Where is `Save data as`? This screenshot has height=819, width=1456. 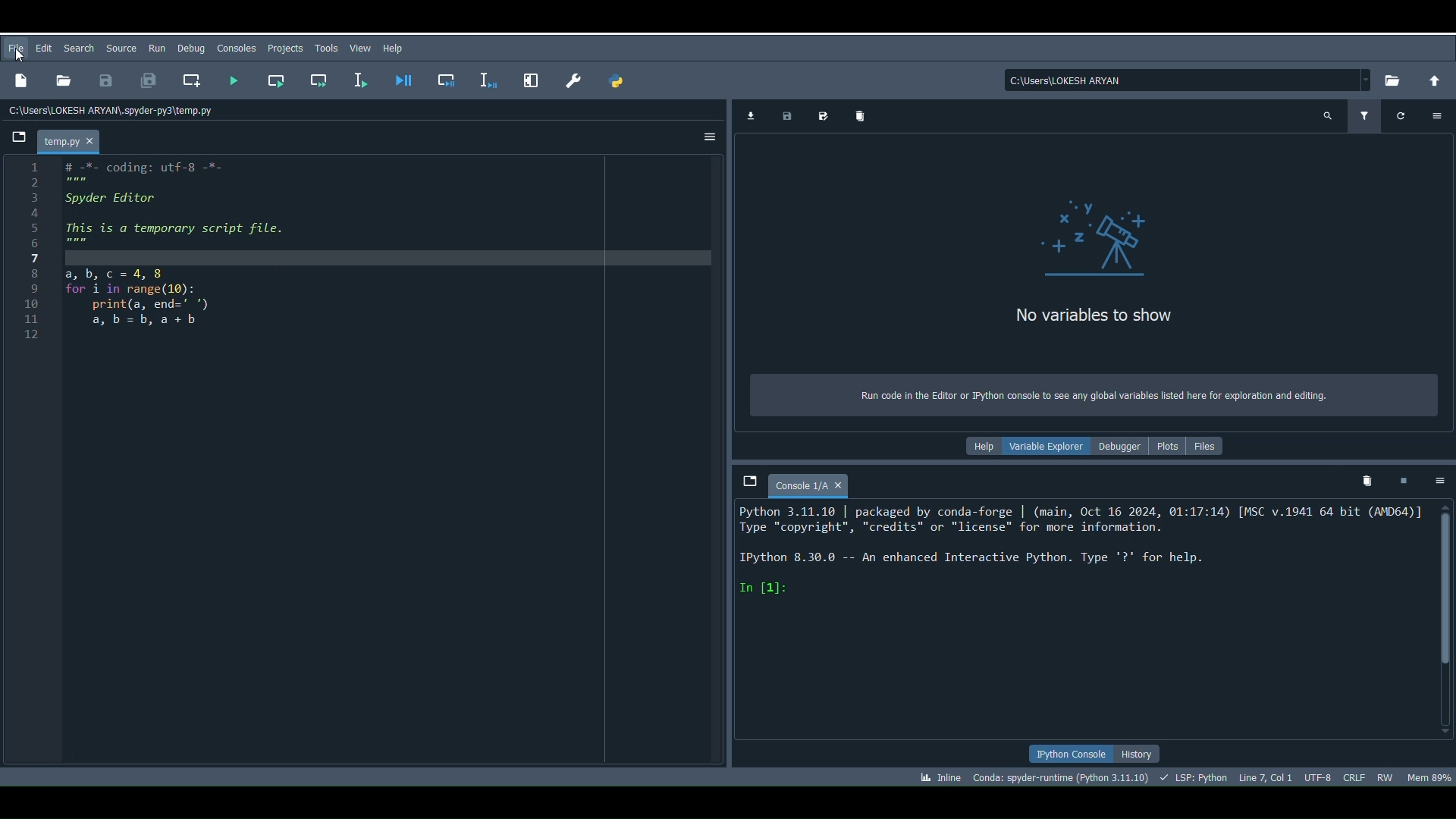
Save data as is located at coordinates (818, 114).